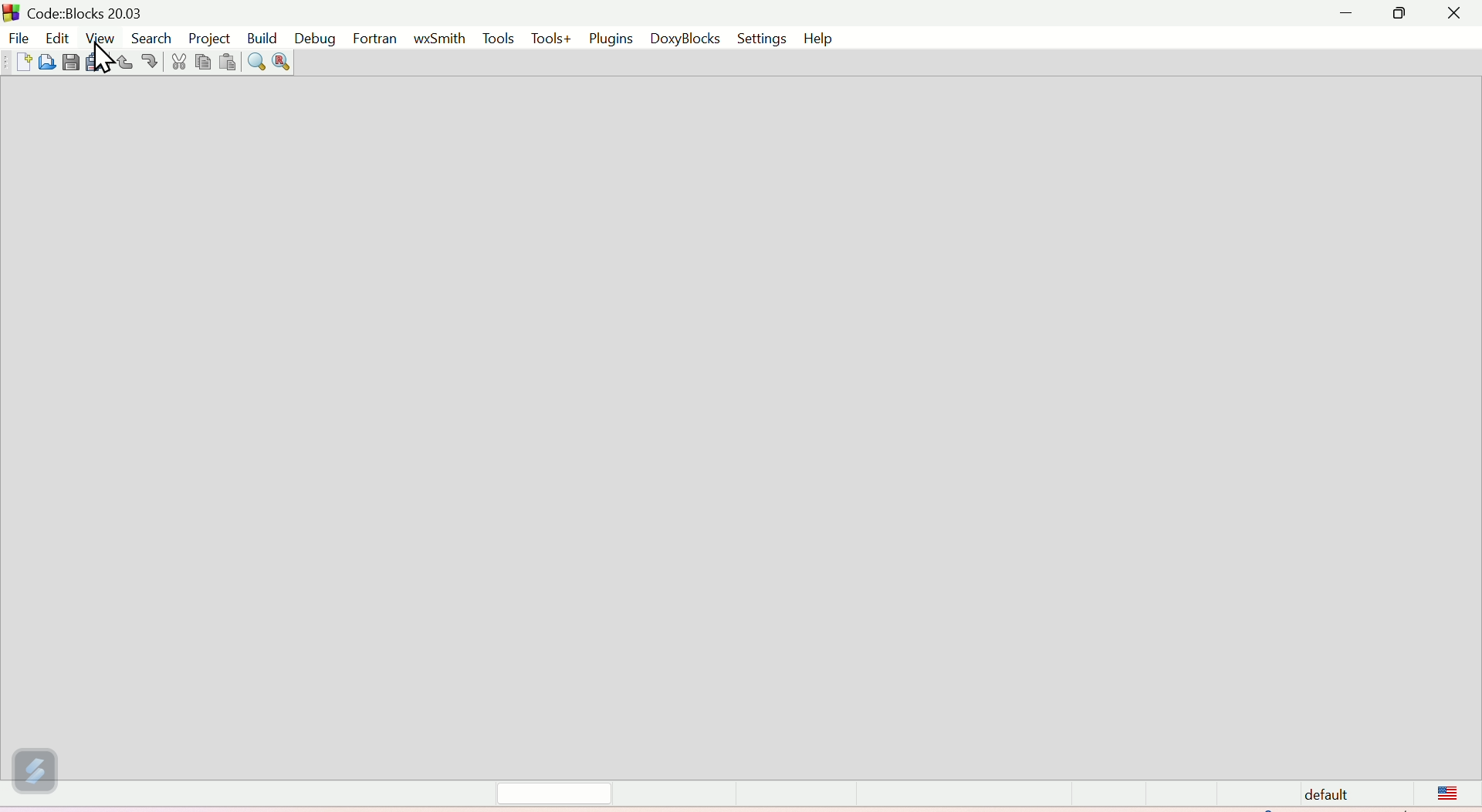  Describe the element at coordinates (551, 39) in the screenshot. I see `Tools+` at that location.